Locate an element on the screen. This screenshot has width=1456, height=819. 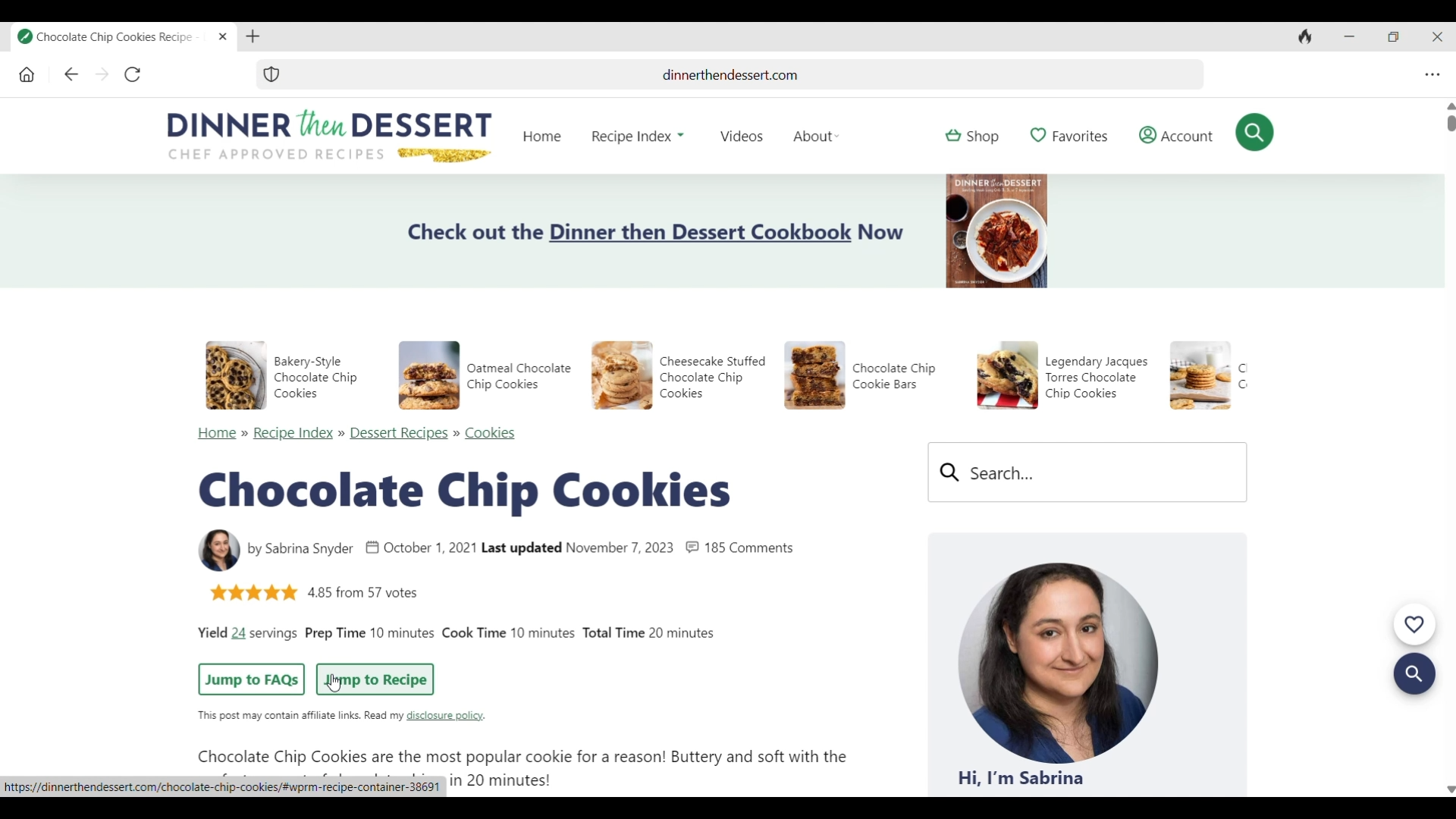
Hi, I'm Sabrina is located at coordinates (1021, 778).